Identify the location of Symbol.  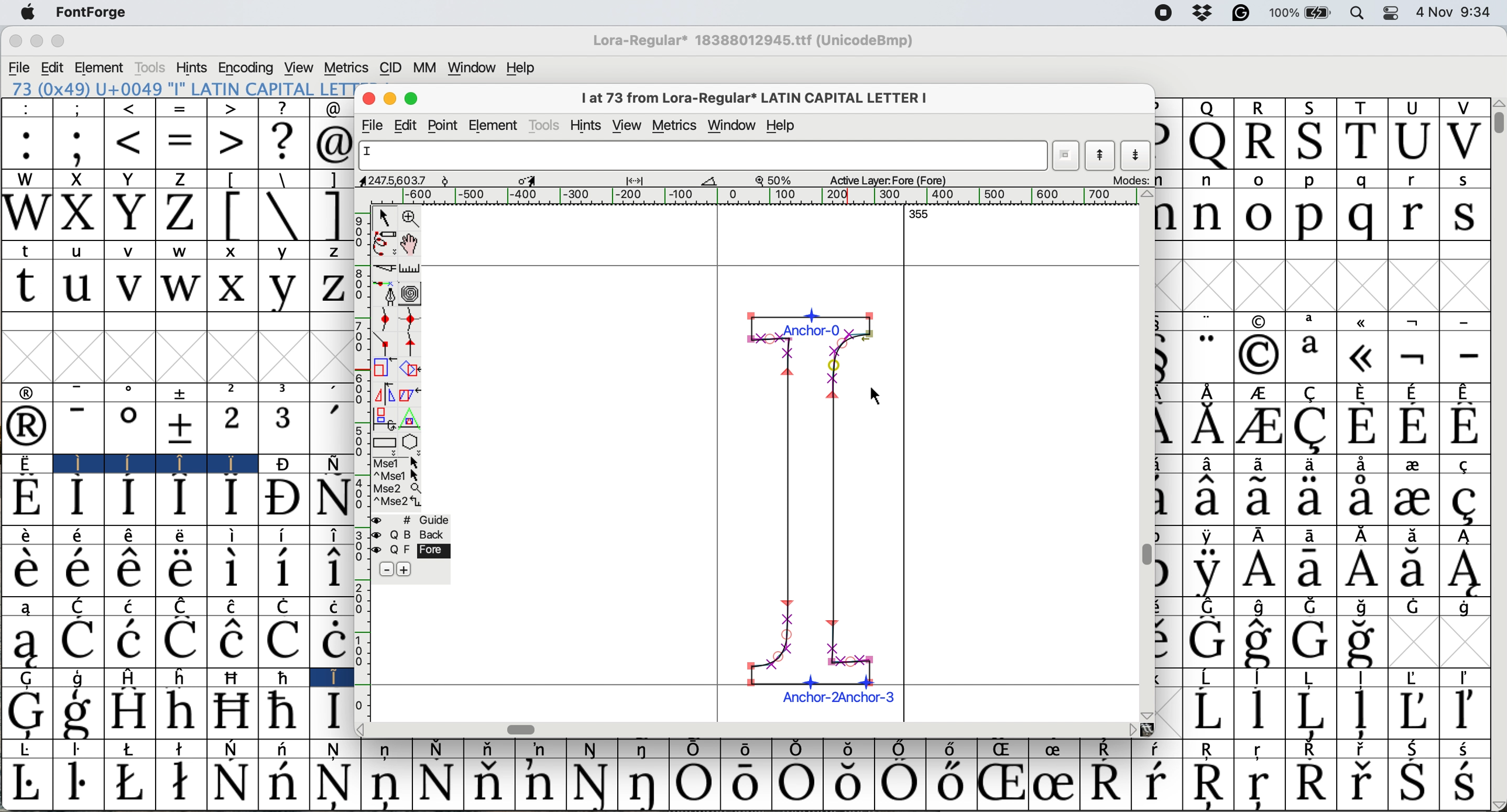
(954, 749).